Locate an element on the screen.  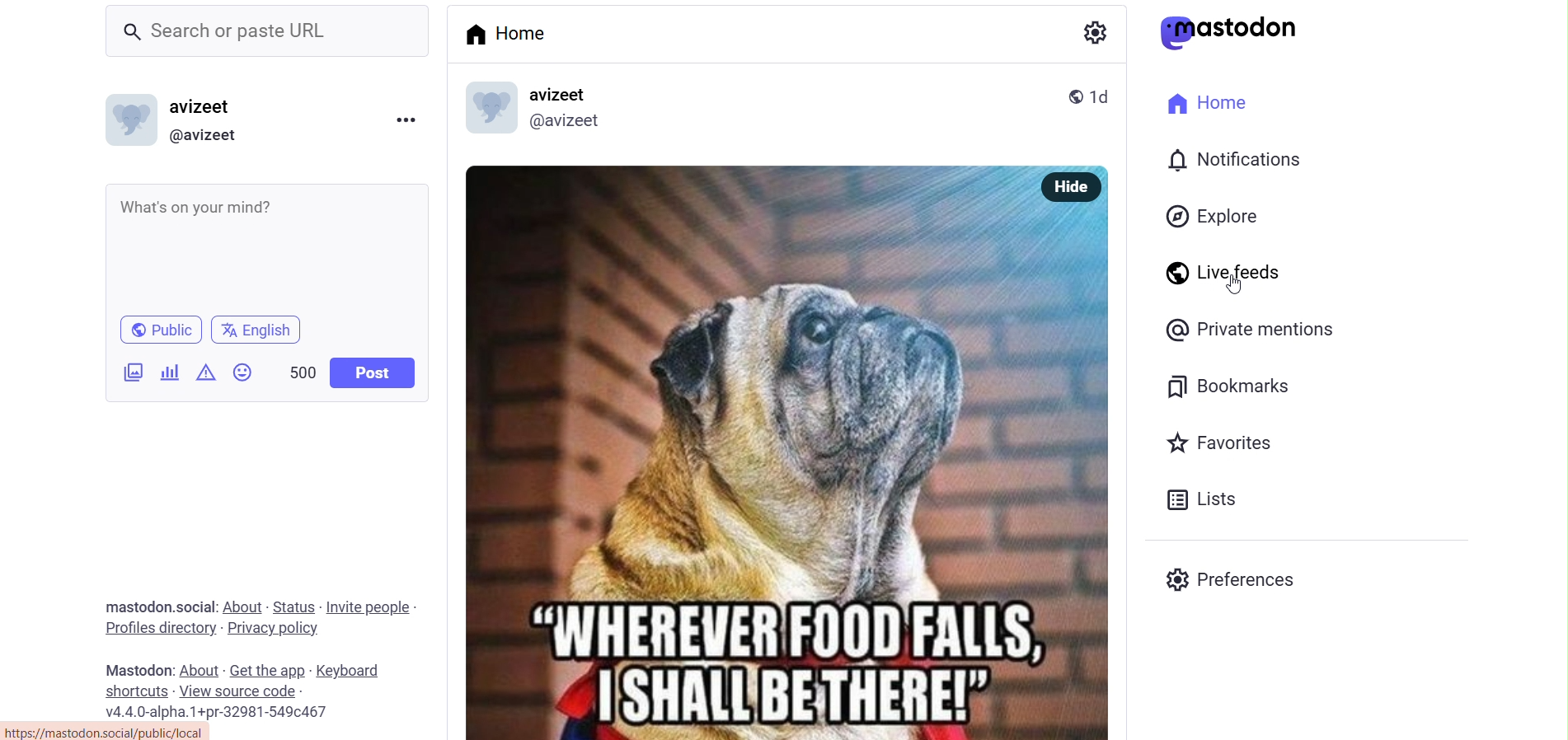
name is located at coordinates (557, 93).